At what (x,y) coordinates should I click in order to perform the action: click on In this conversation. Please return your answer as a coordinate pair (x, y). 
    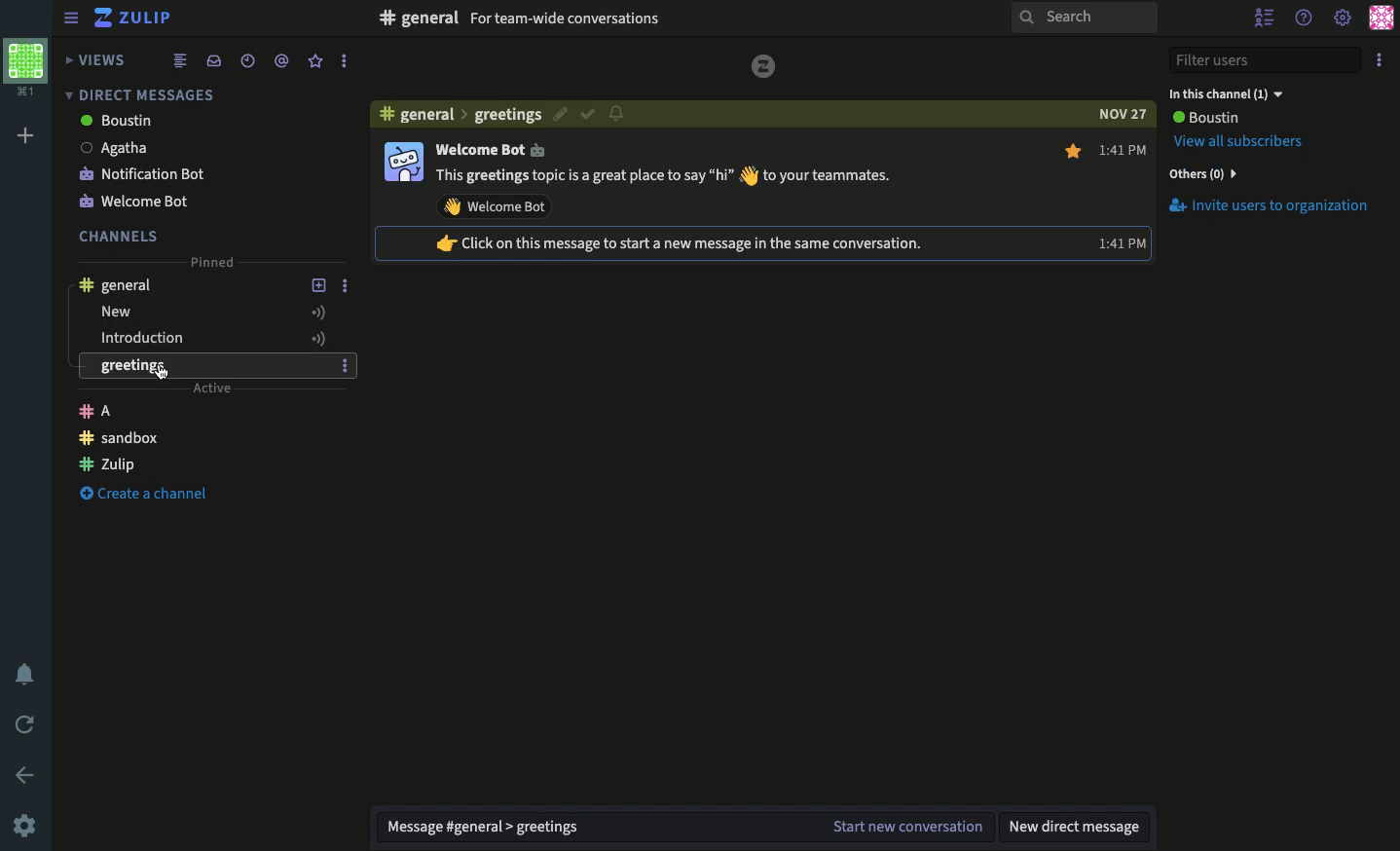
    Looking at the image, I should click on (1238, 93).